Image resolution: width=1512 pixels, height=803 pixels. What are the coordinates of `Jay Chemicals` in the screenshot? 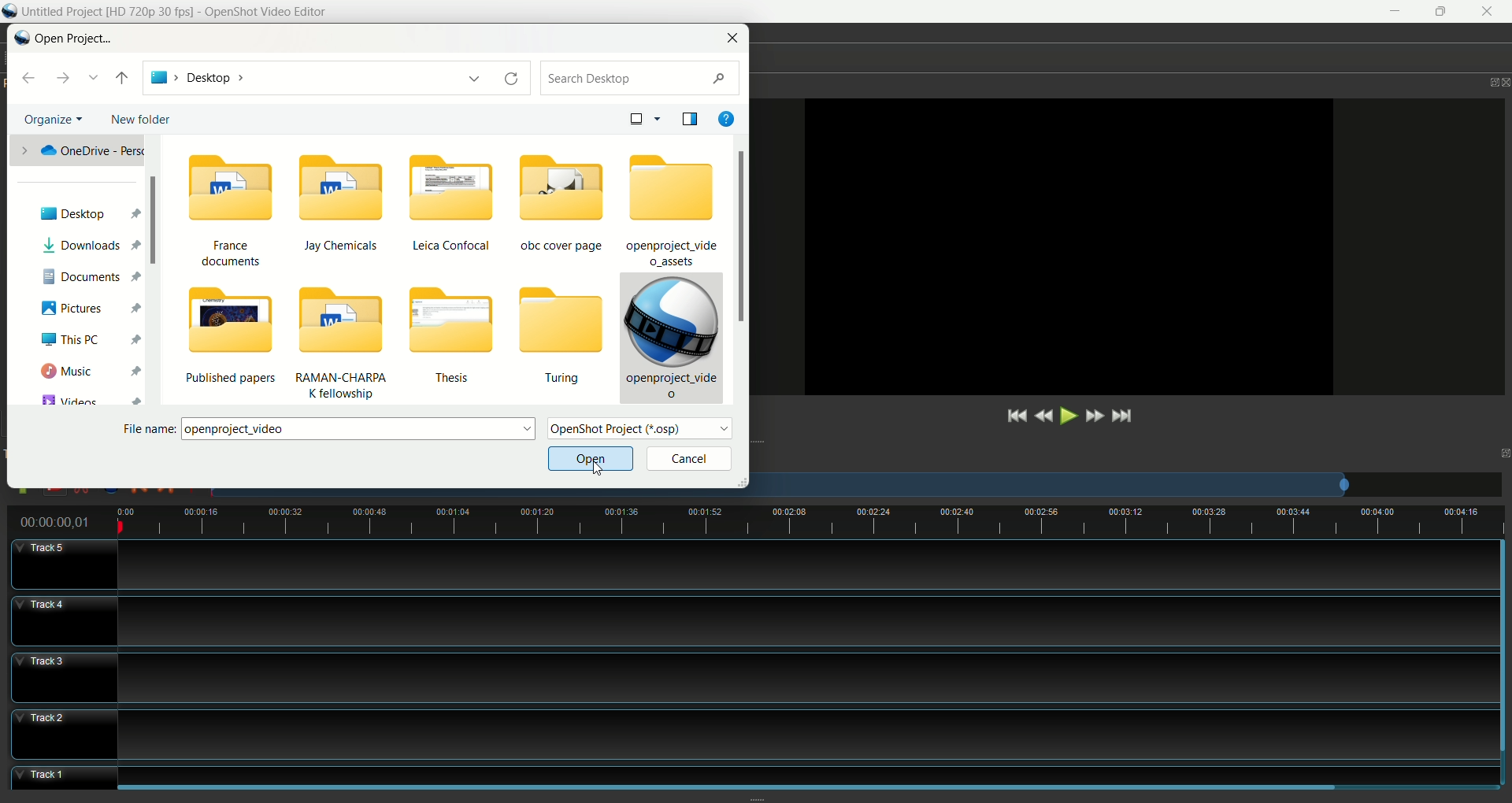 It's located at (344, 206).